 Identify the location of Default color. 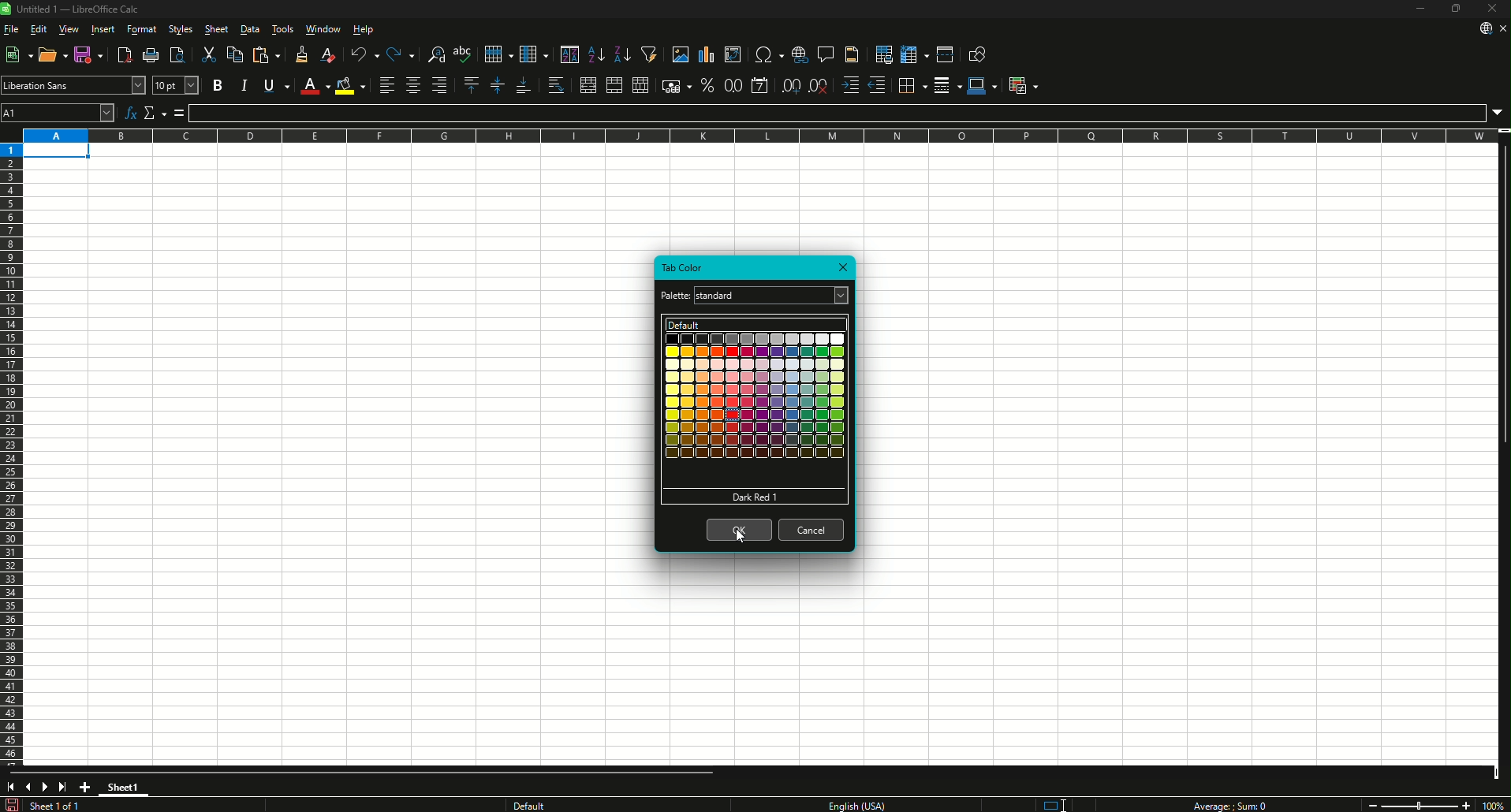
(756, 324).